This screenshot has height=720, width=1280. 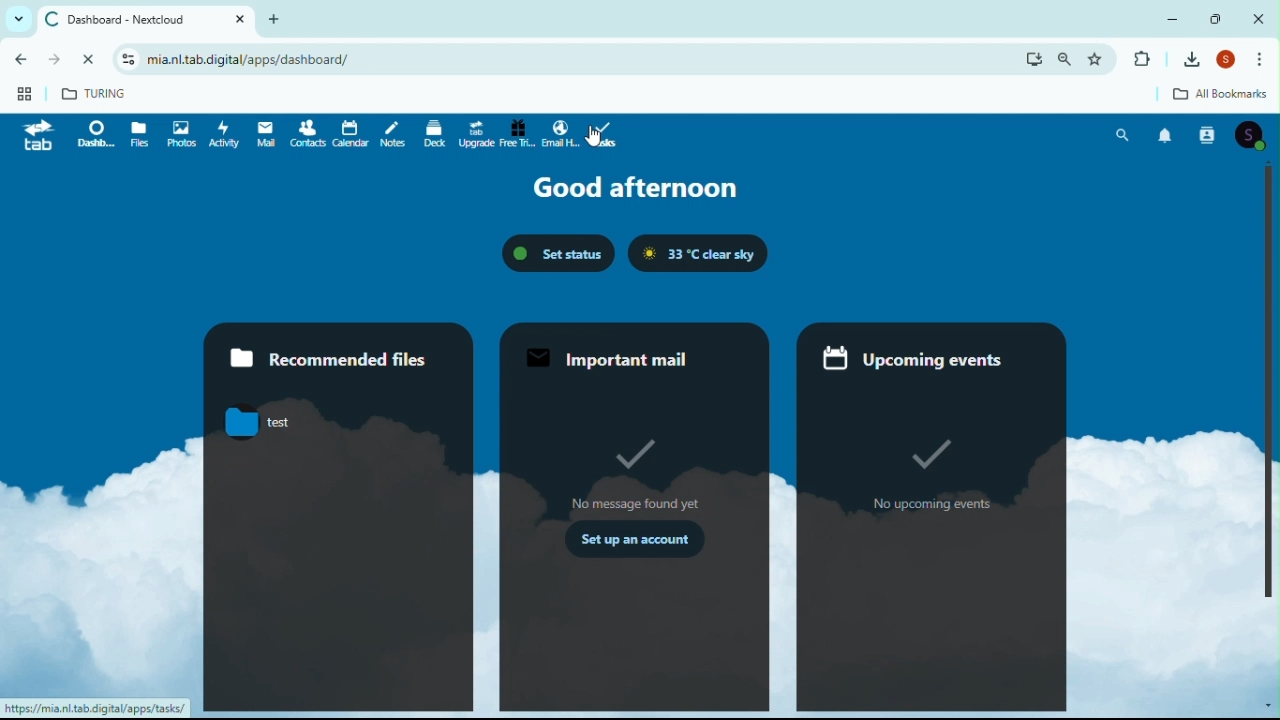 I want to click on mia.nl.tab.digital/apps/dashboard/, so click(x=281, y=58).